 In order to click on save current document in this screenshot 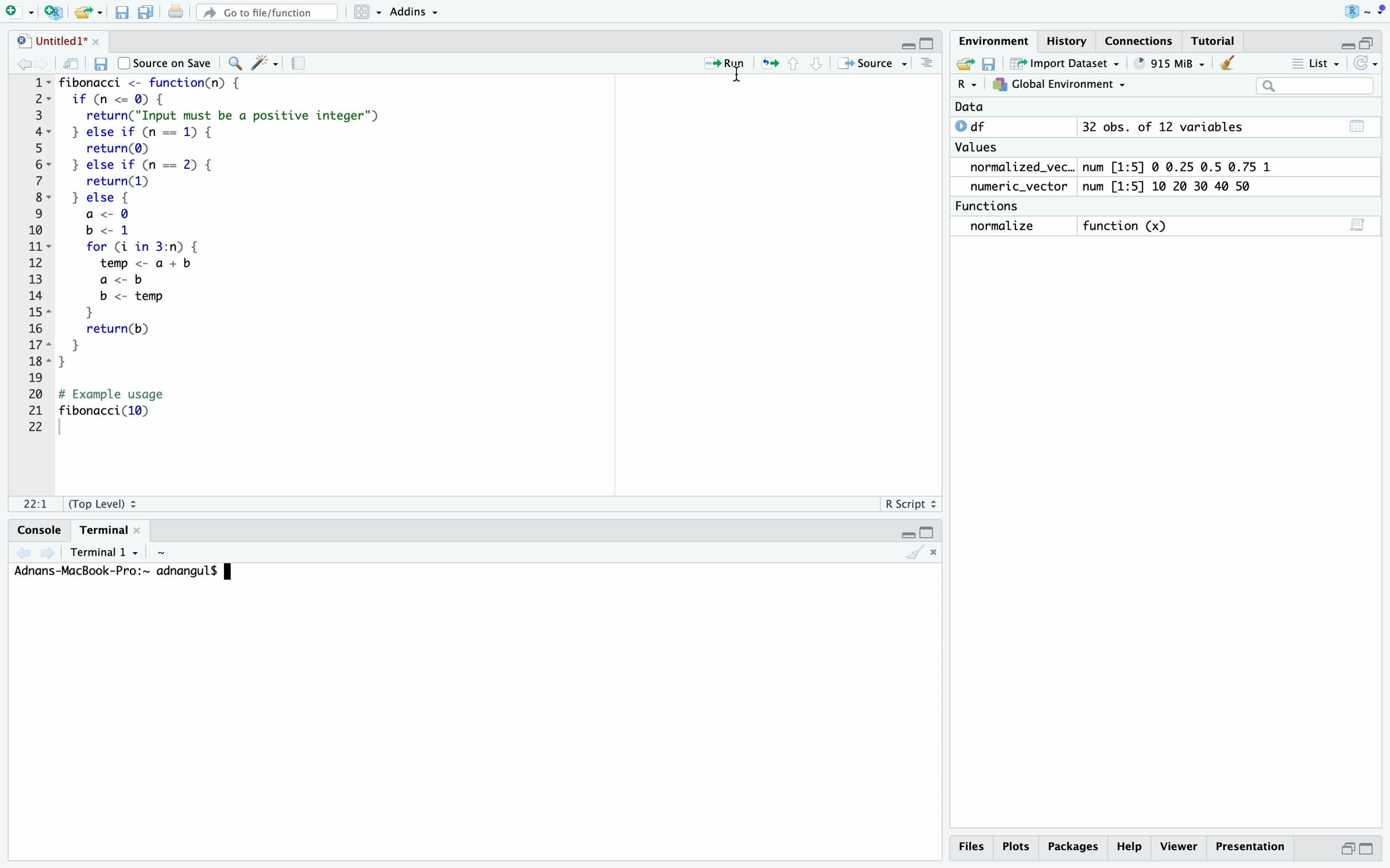, I will do `click(122, 13)`.